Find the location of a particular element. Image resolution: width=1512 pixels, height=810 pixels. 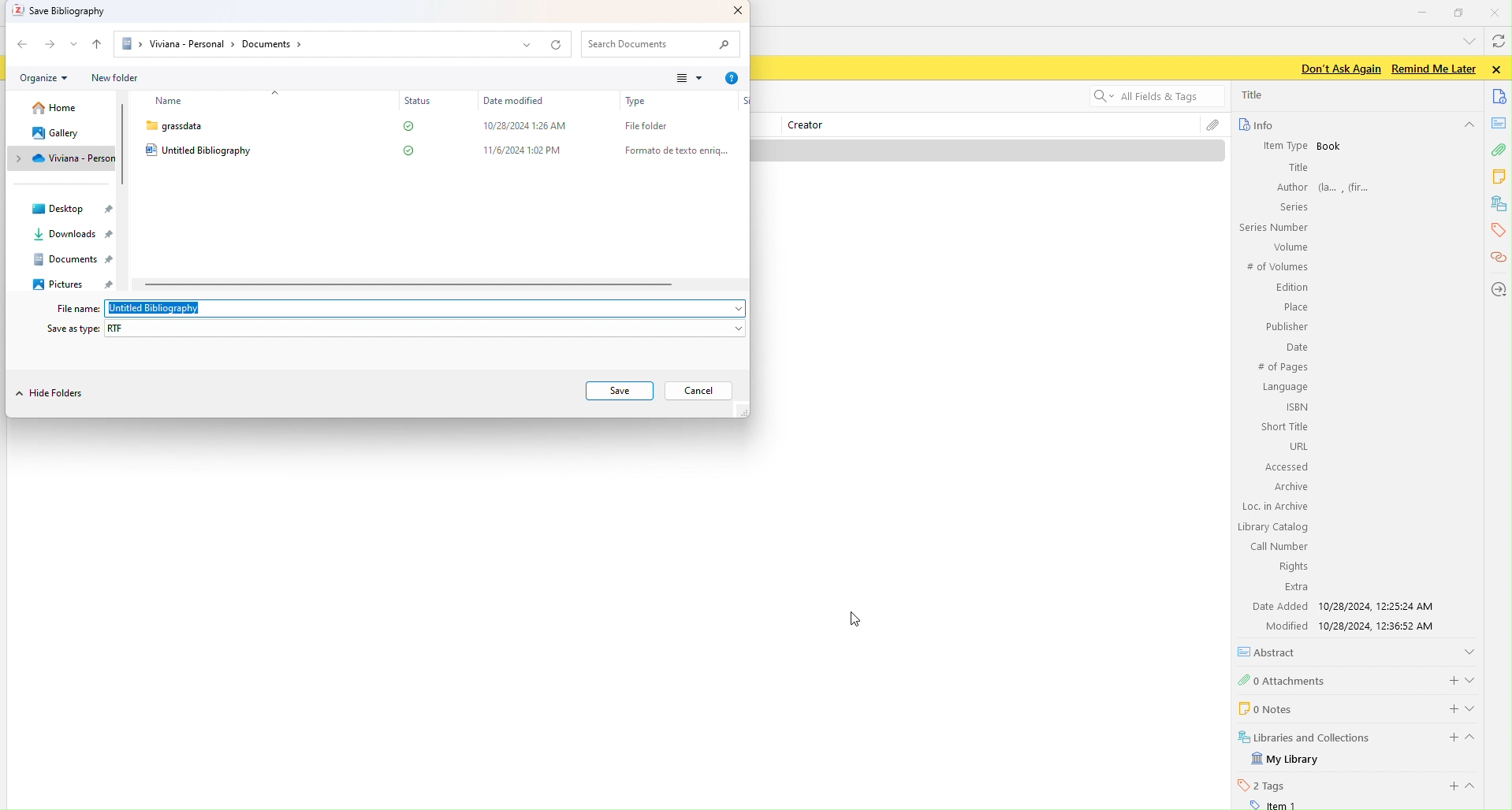

Save as type is located at coordinates (71, 328).